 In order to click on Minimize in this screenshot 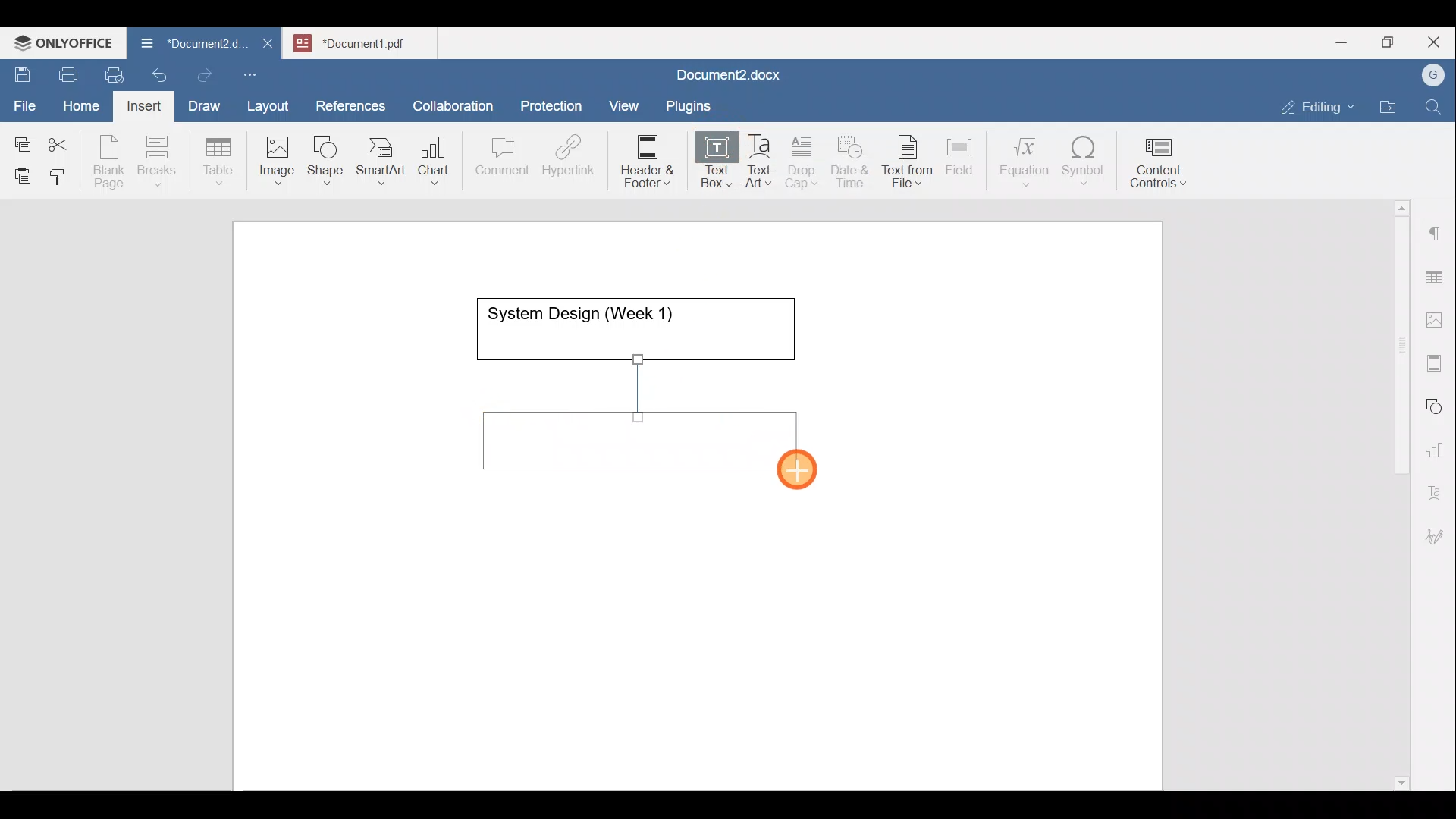, I will do `click(1341, 41)`.